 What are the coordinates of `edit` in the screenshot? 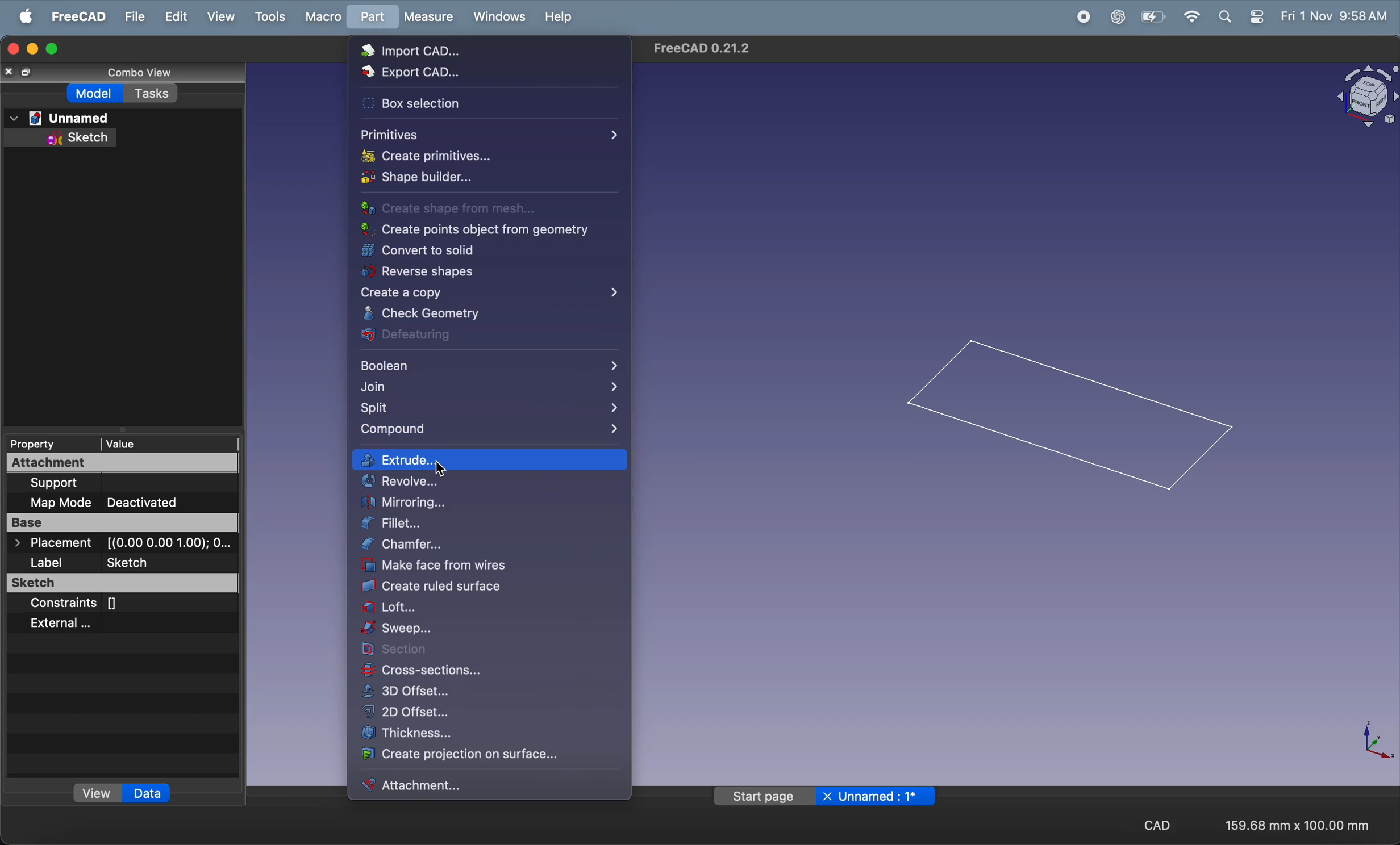 It's located at (172, 16).